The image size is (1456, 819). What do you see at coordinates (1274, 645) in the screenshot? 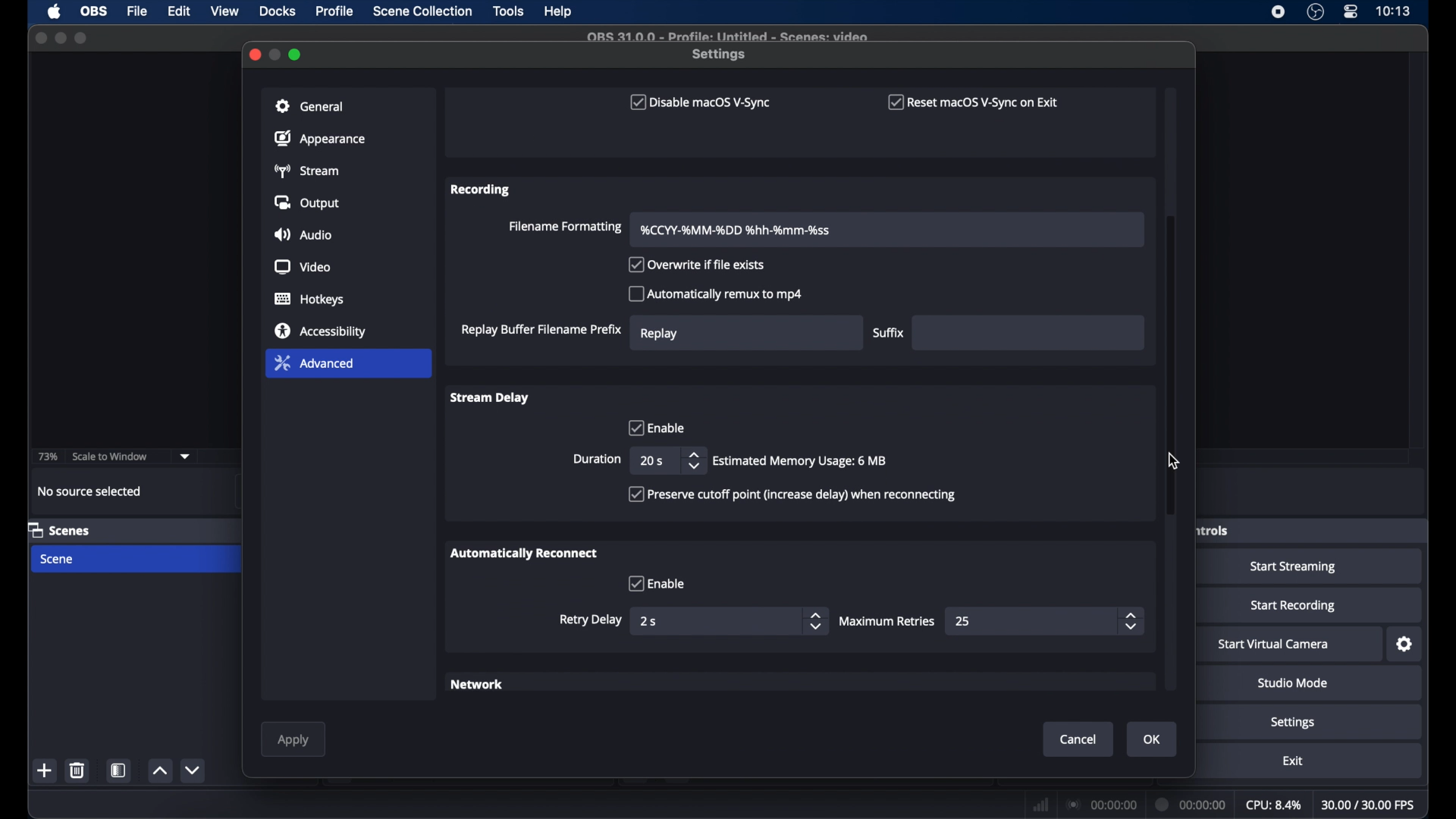
I see `start virtual camera` at bounding box center [1274, 645].